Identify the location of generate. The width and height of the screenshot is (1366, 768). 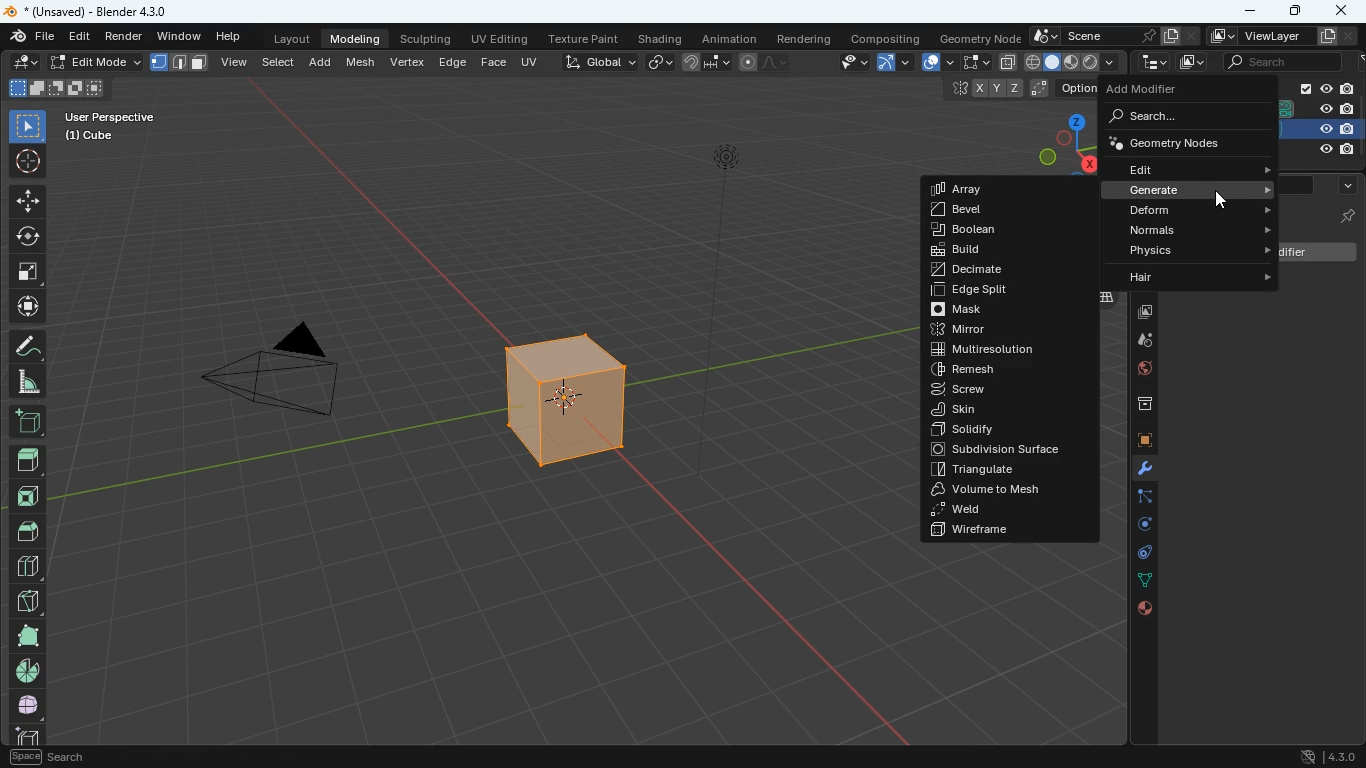
(1182, 189).